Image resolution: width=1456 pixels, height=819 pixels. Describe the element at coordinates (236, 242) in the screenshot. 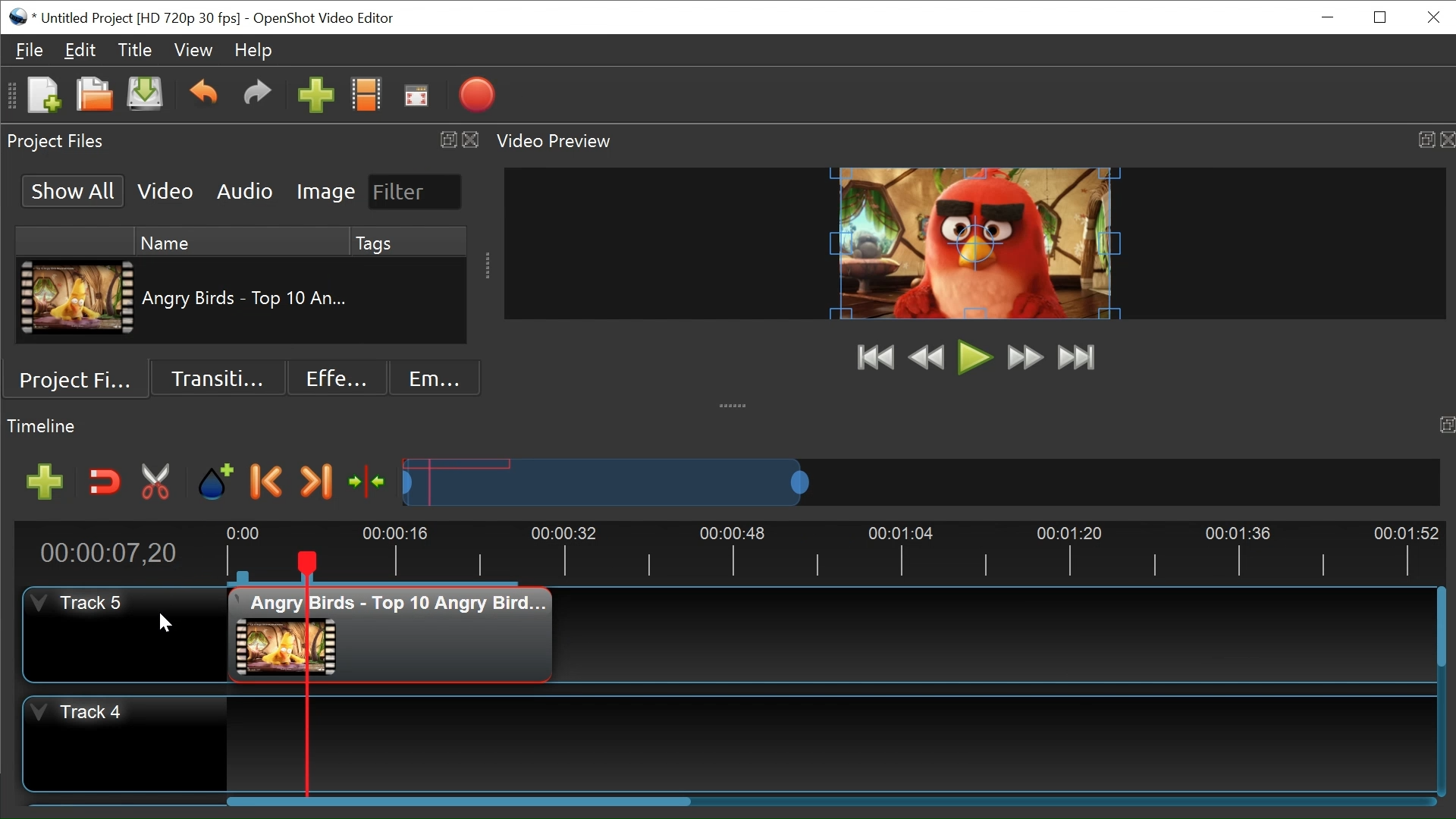

I see `Name` at that location.